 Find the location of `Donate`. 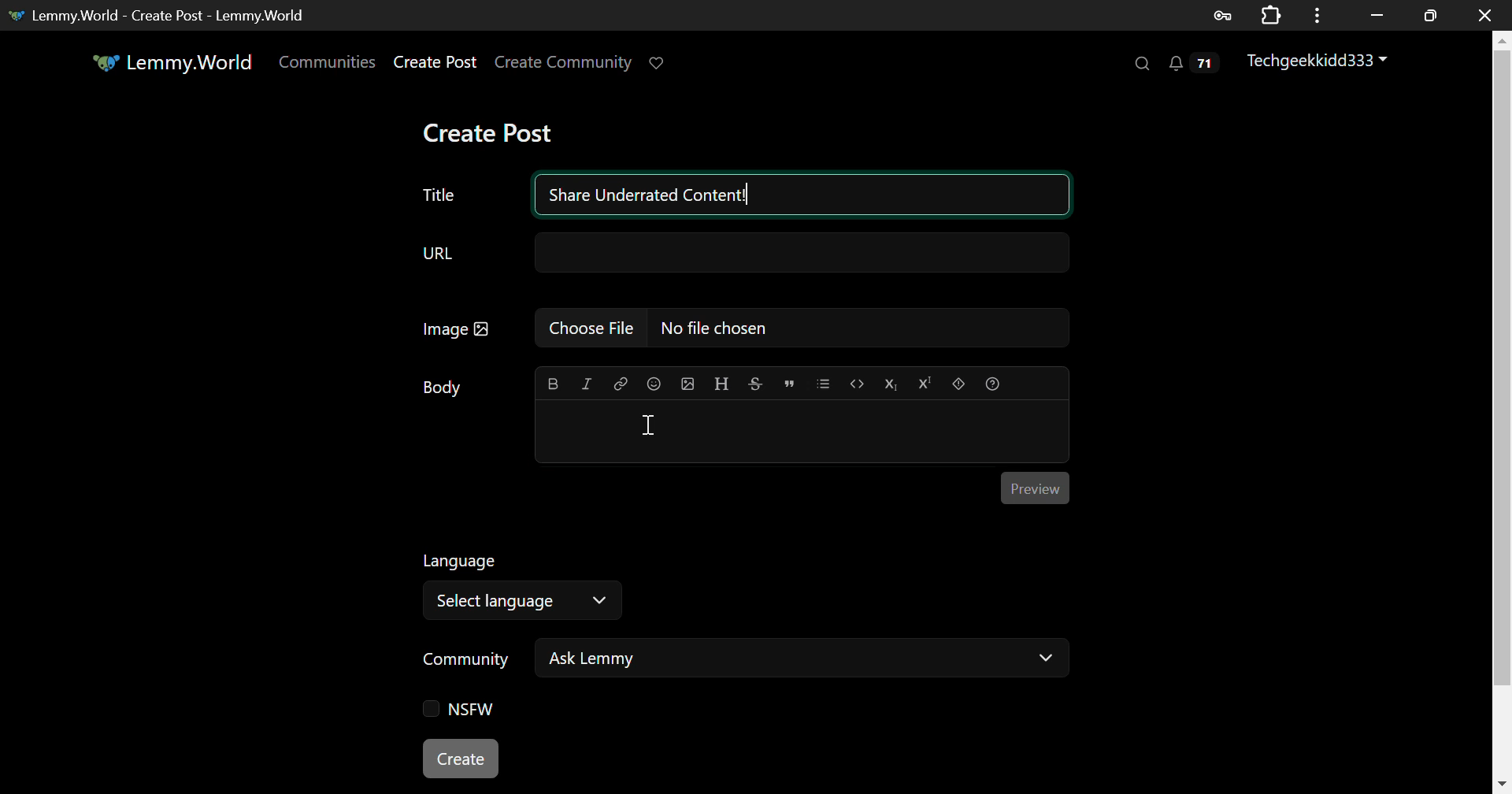

Donate is located at coordinates (663, 64).